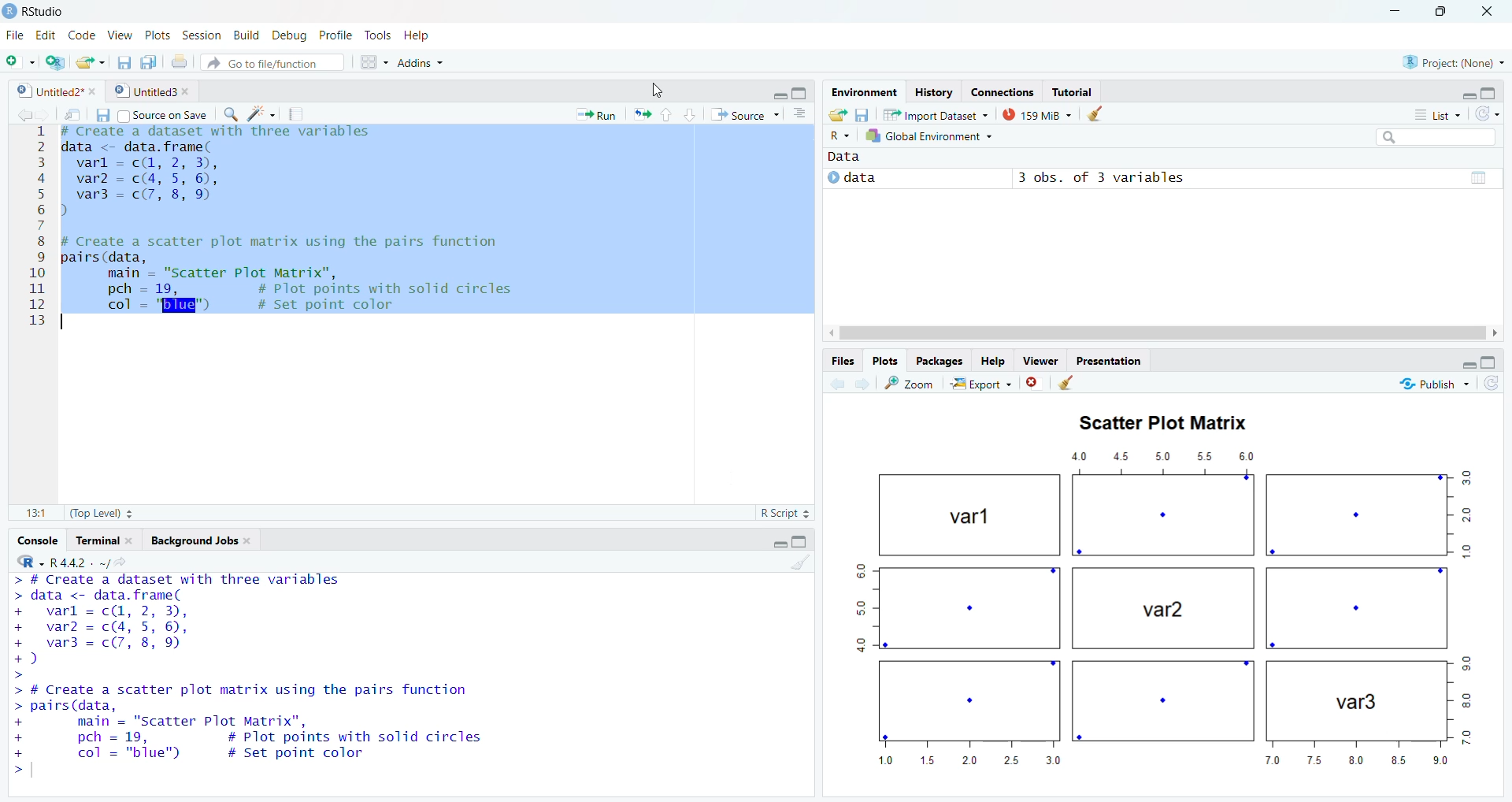  What do you see at coordinates (202, 33) in the screenshot?
I see `Session` at bounding box center [202, 33].